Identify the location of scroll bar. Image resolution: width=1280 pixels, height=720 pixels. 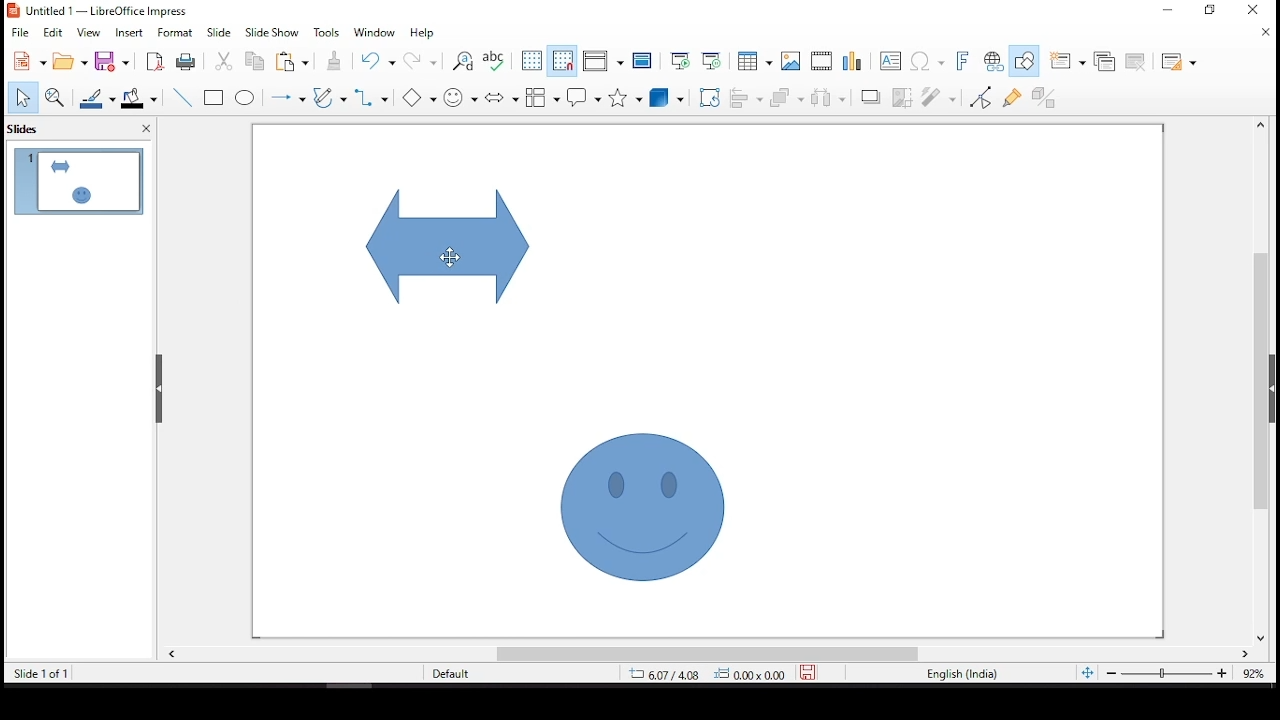
(1267, 381).